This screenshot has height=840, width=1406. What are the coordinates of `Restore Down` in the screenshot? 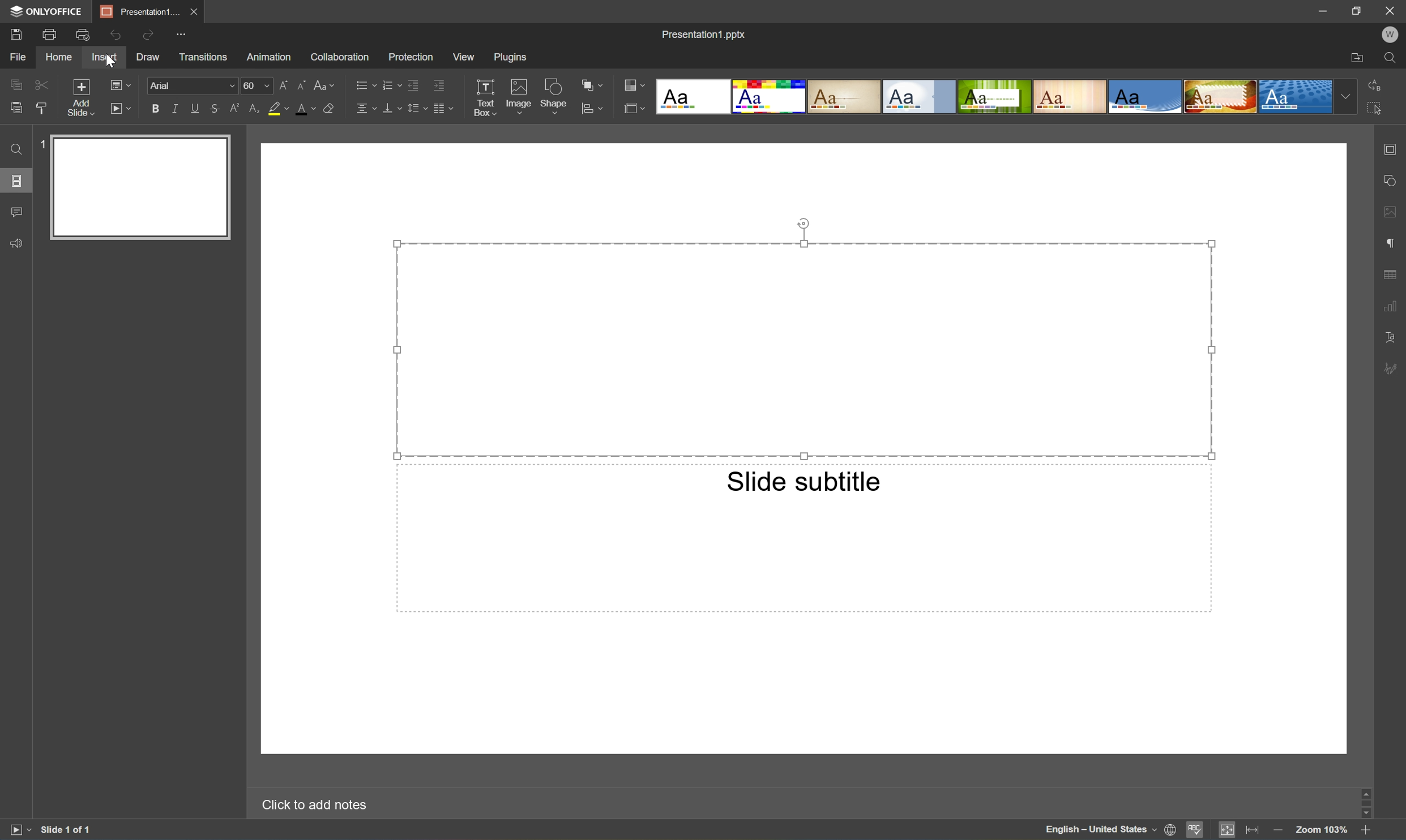 It's located at (1357, 10).